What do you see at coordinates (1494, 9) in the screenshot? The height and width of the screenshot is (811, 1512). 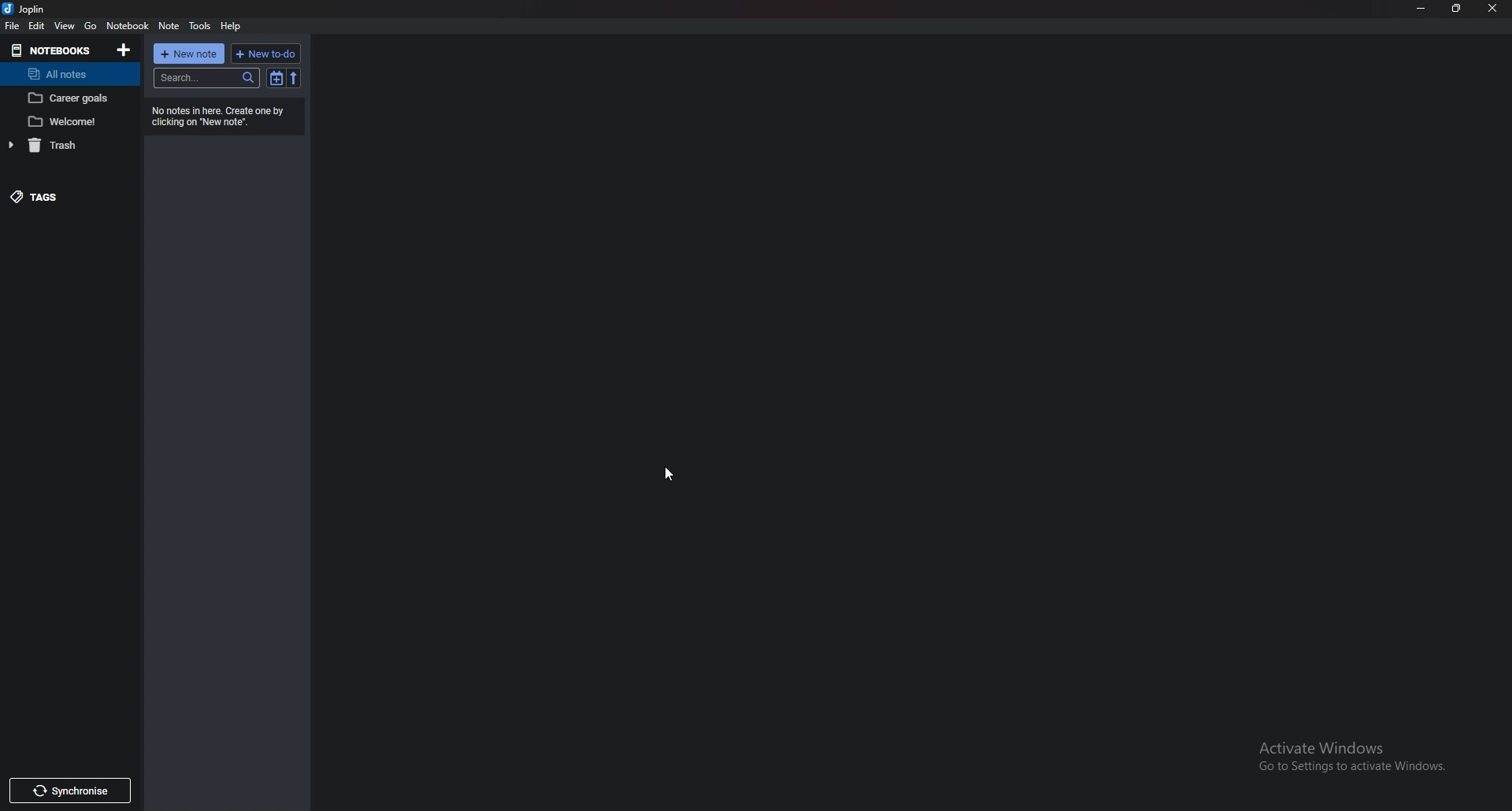 I see `close` at bounding box center [1494, 9].